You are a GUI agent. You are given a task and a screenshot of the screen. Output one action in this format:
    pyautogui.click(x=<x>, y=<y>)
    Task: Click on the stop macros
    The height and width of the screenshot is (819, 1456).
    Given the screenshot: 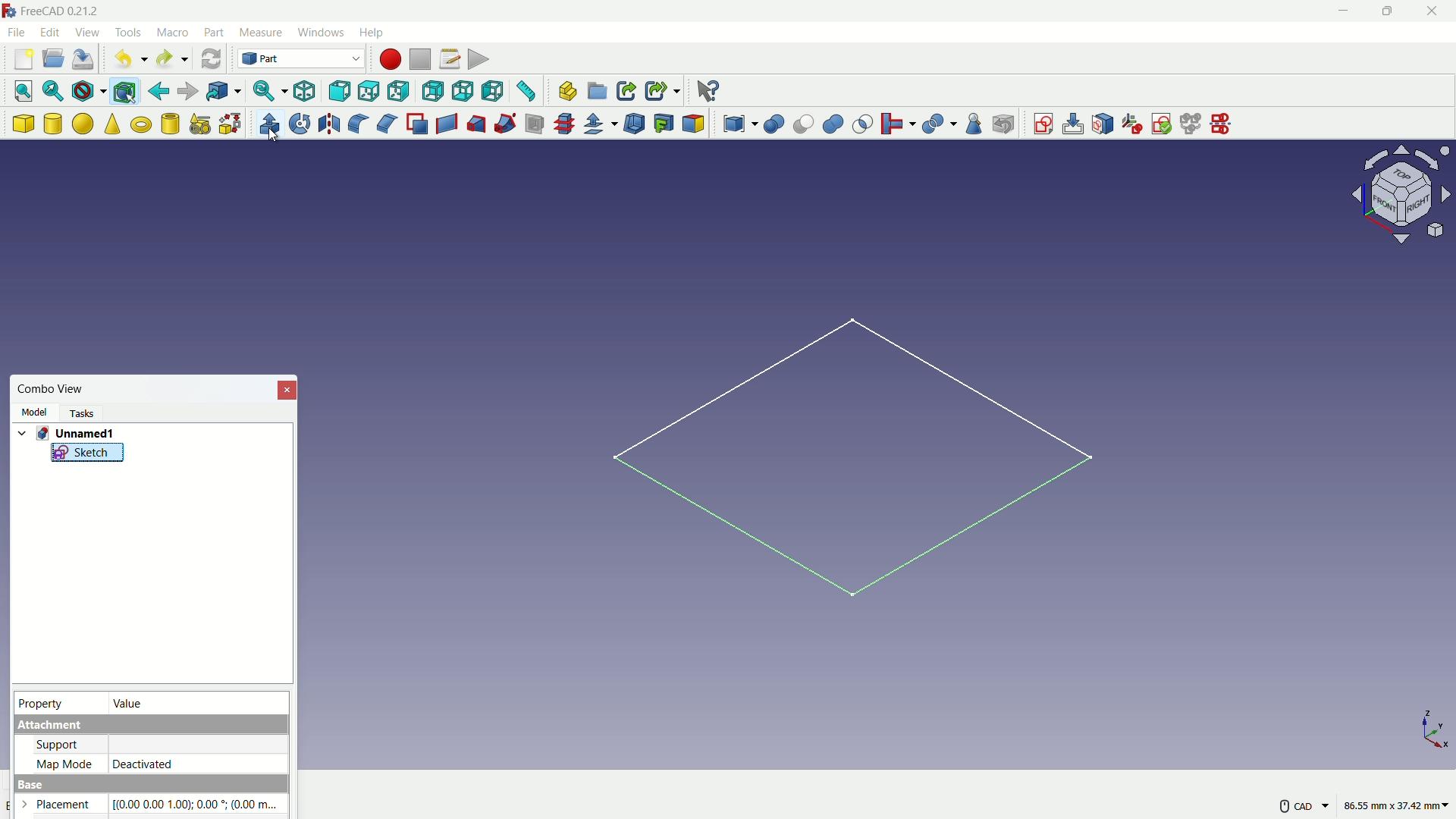 What is the action you would take?
    pyautogui.click(x=420, y=60)
    